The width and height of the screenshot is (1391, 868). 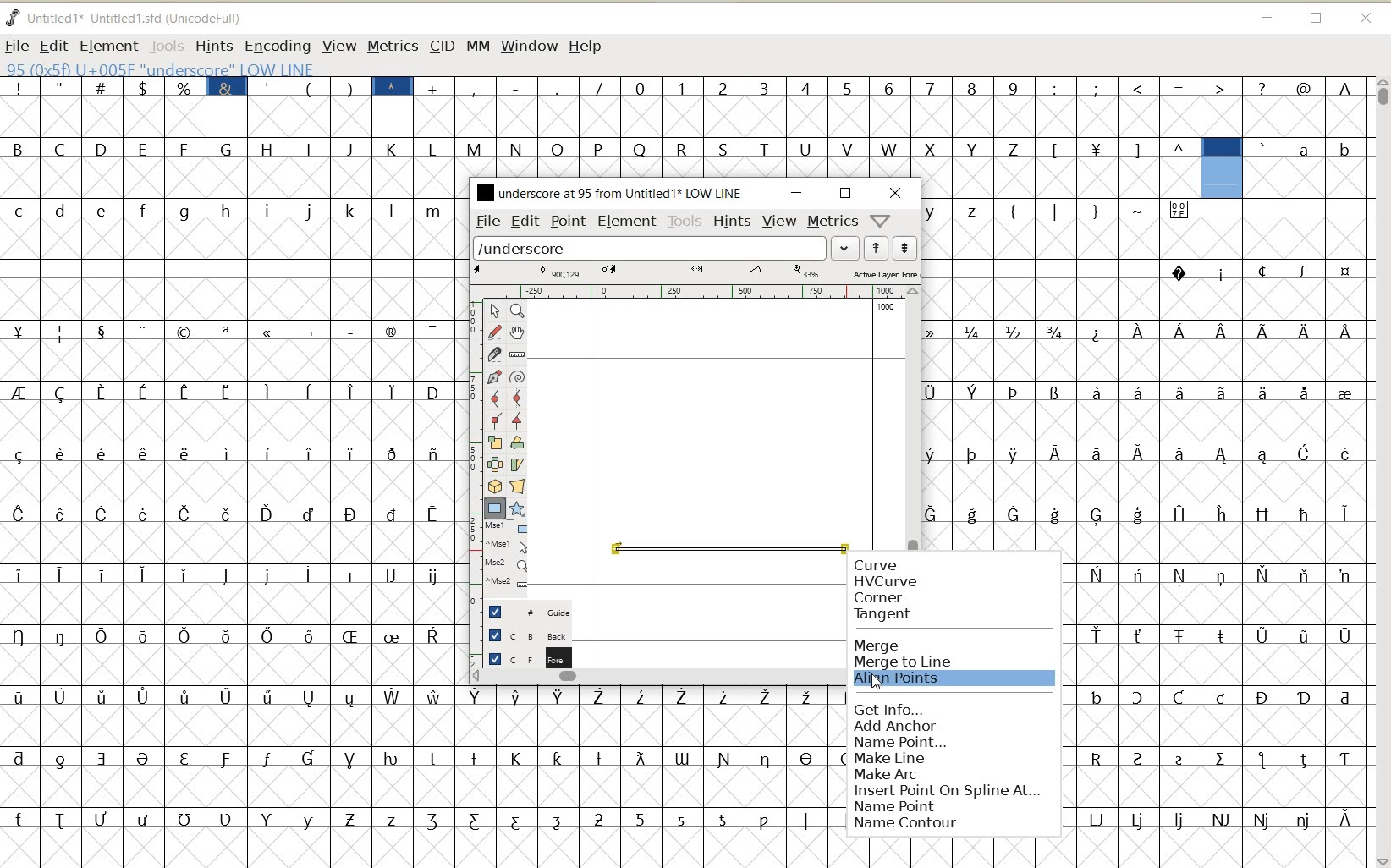 I want to click on CID, so click(x=442, y=47).